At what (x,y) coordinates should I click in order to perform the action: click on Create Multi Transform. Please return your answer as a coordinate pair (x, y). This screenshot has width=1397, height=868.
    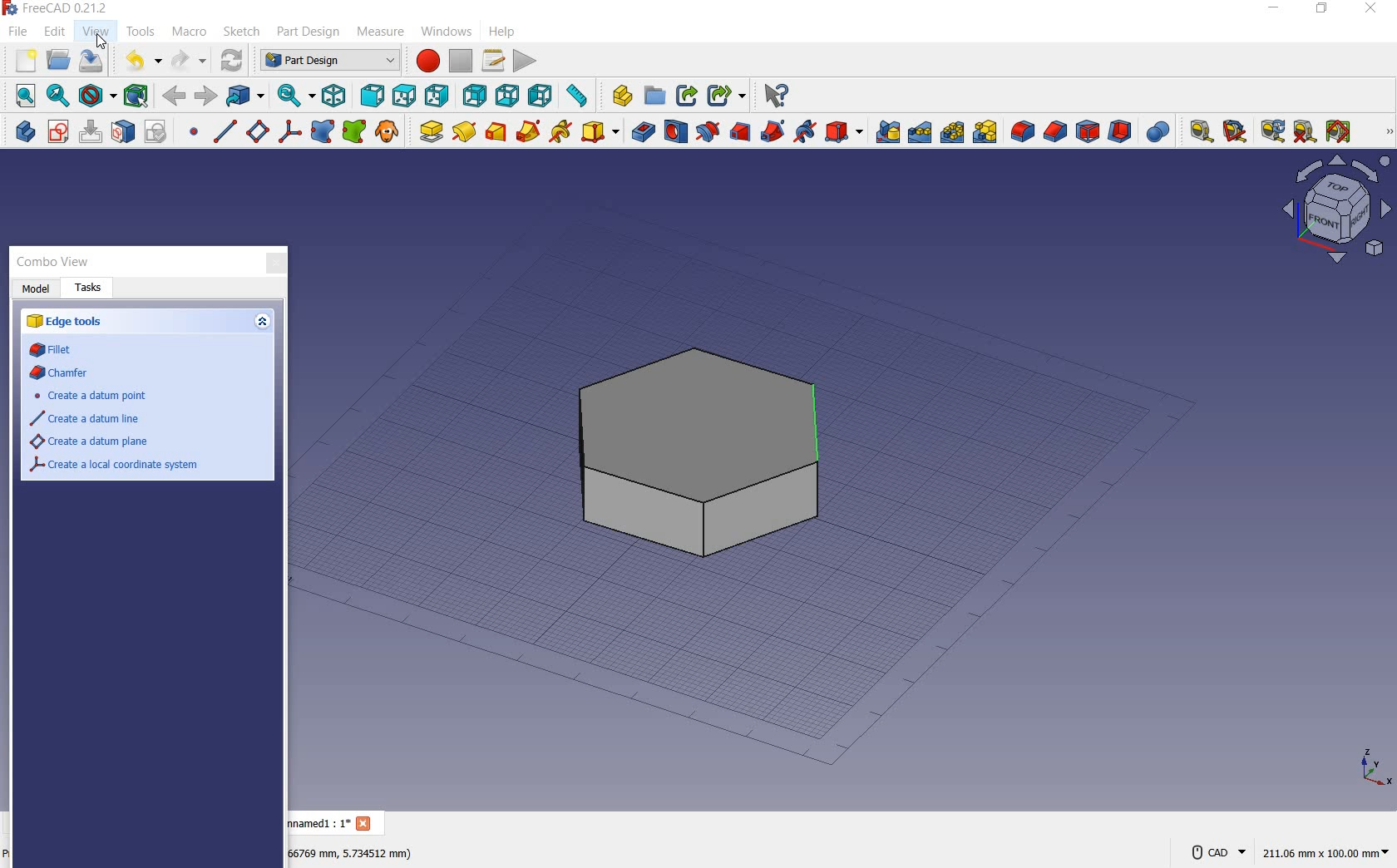
    Looking at the image, I should click on (985, 132).